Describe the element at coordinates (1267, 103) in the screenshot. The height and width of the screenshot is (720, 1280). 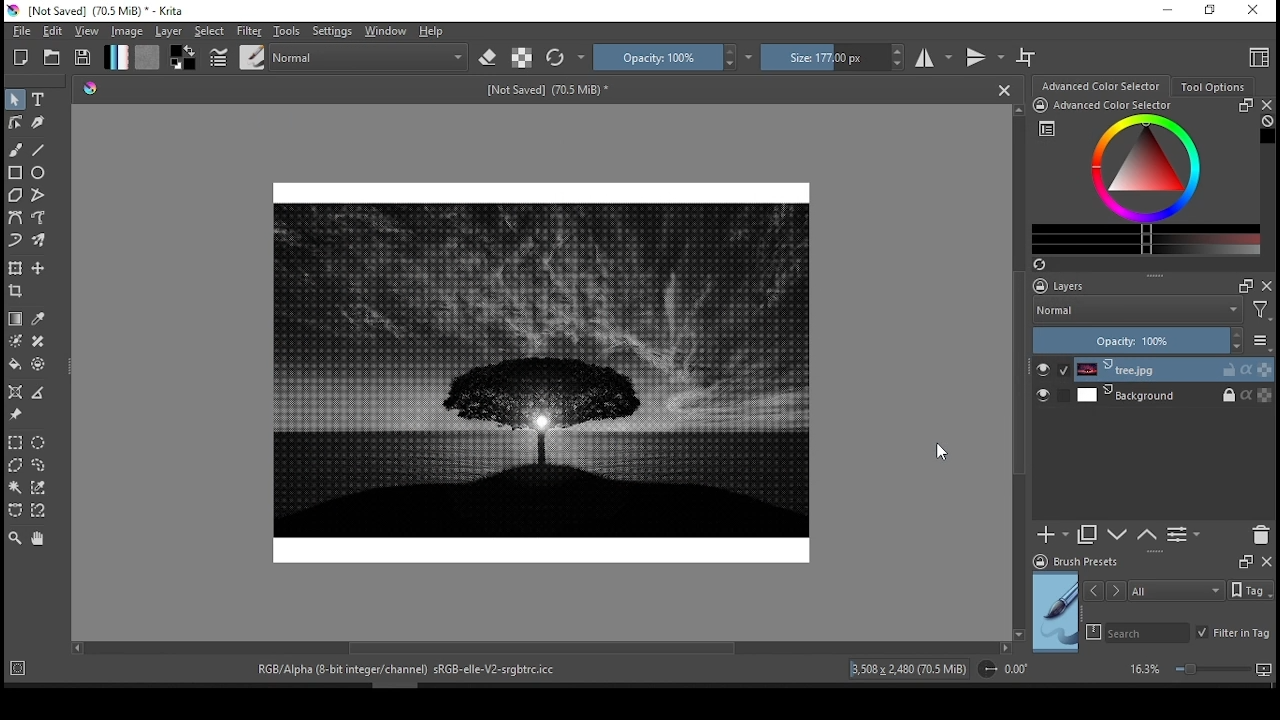
I see `close docker` at that location.